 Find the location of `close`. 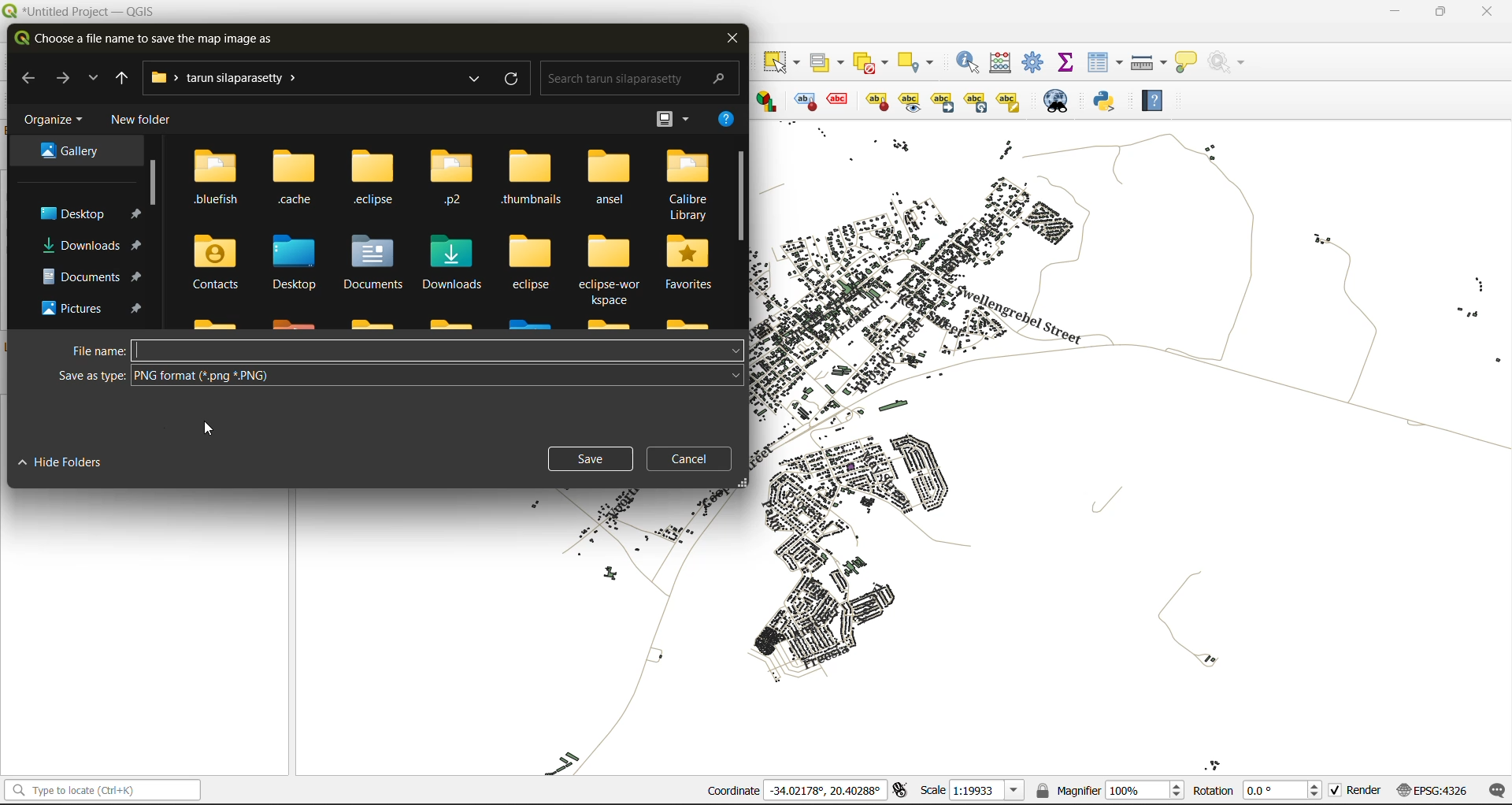

close is located at coordinates (1487, 11).